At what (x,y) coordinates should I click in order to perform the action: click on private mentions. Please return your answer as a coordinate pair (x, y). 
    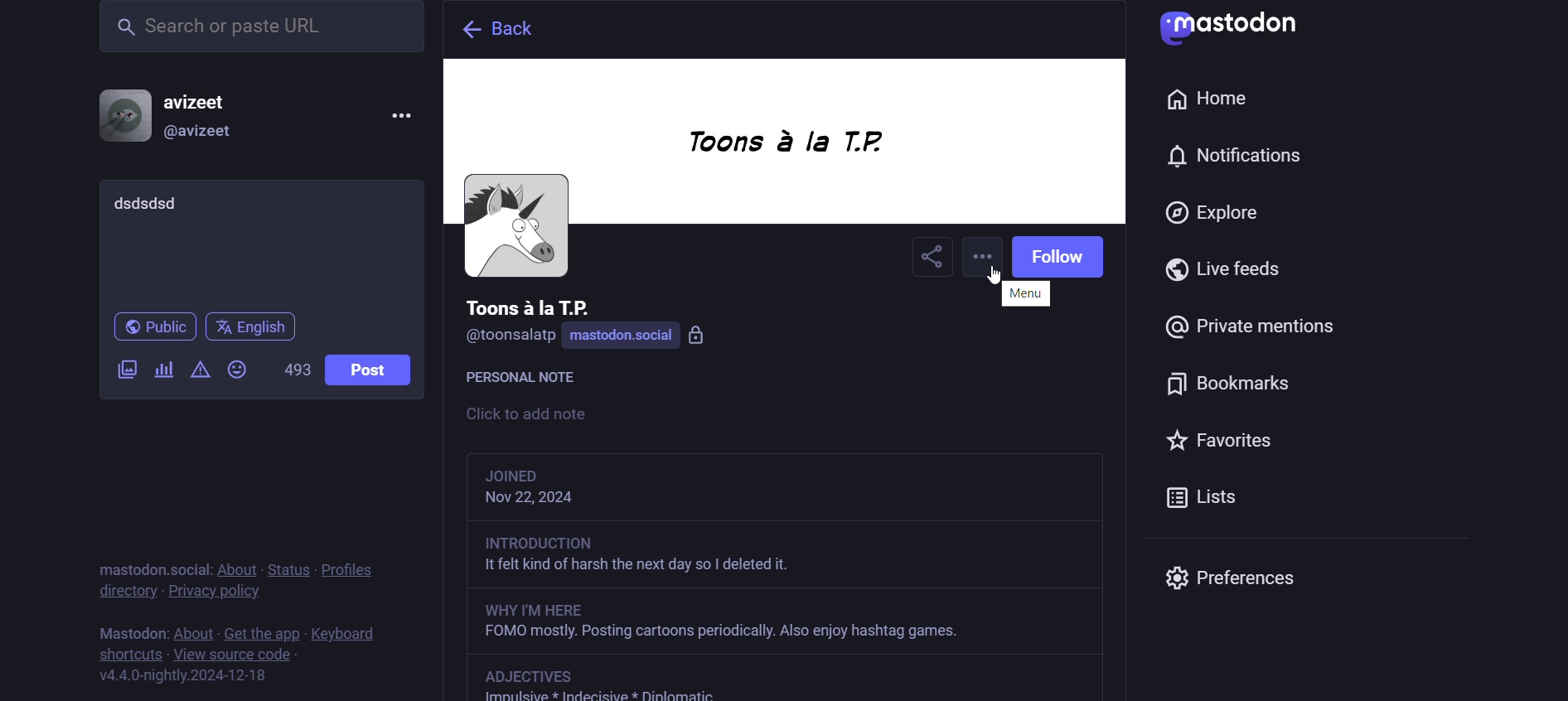
    Looking at the image, I should click on (1250, 335).